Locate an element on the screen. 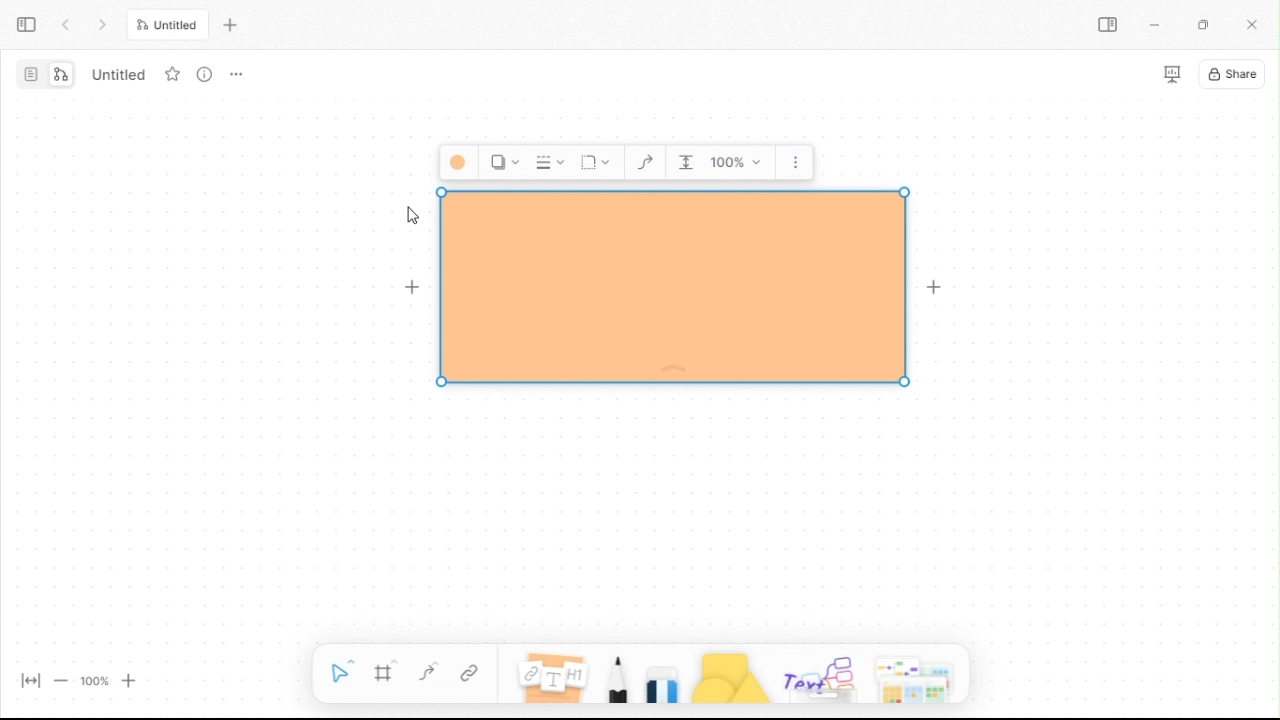 The image size is (1280, 720). 100% is located at coordinates (93, 681).